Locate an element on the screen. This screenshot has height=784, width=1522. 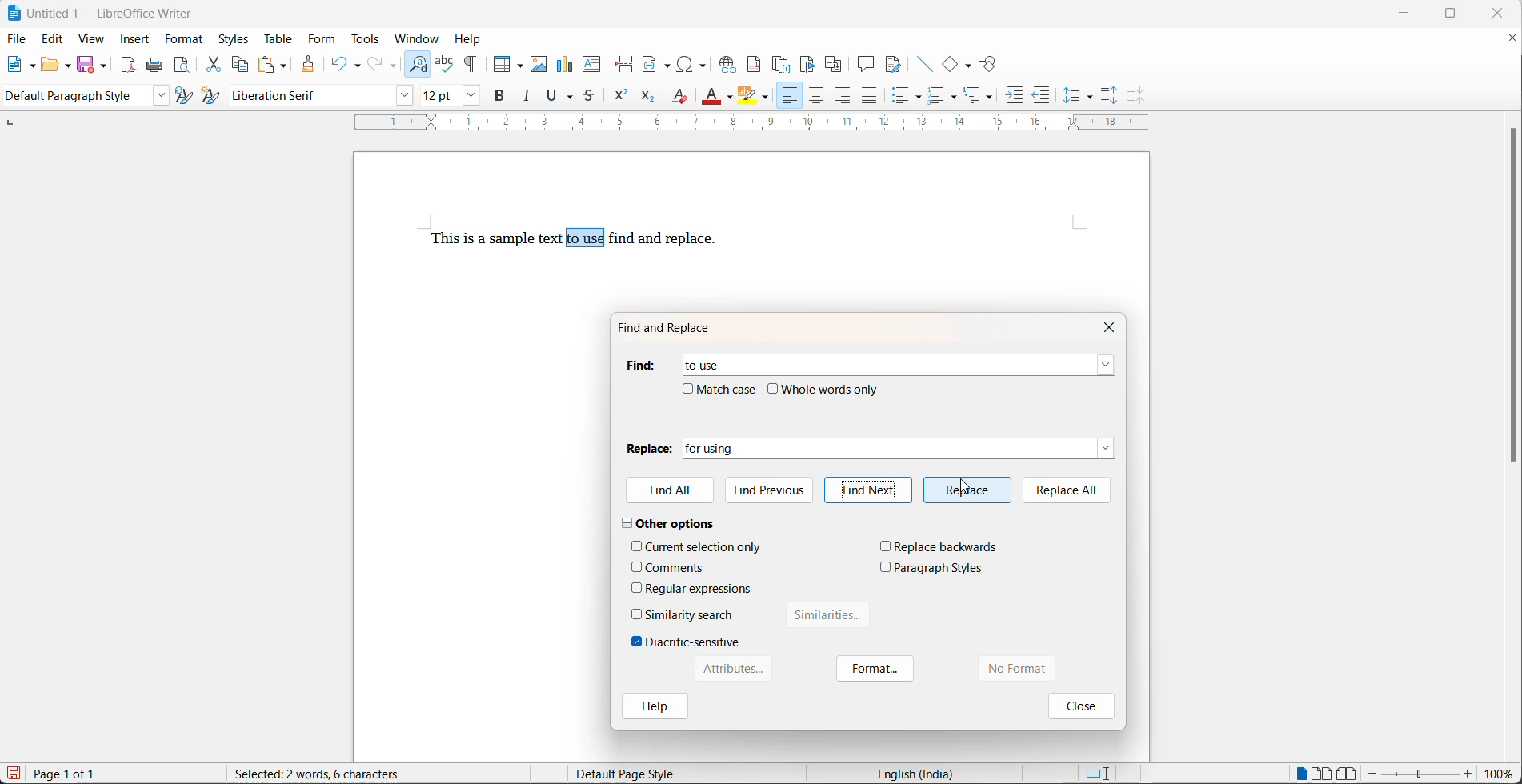
zoom percentage is located at coordinates (1502, 774).